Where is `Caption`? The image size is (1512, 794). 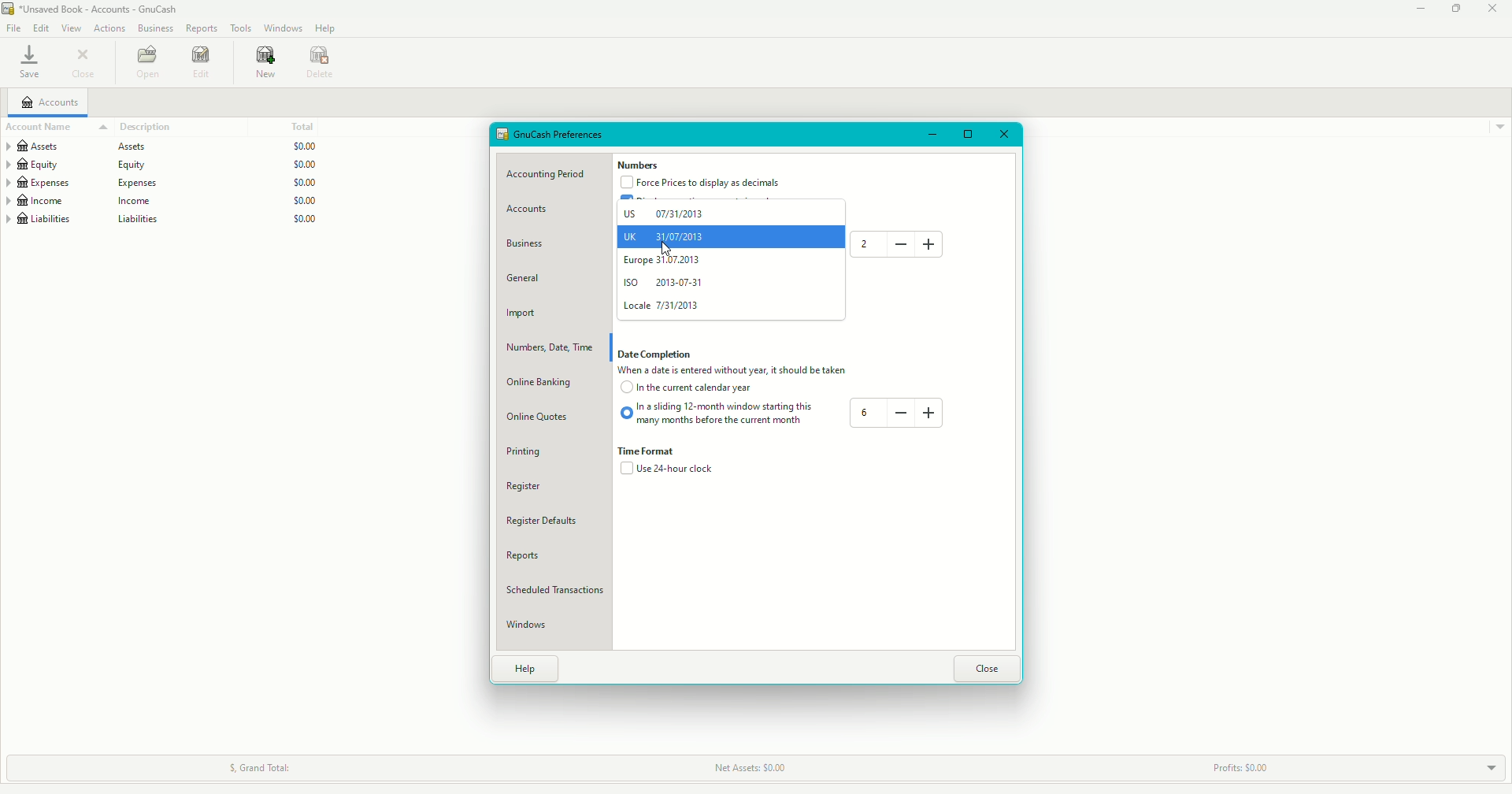
Caption is located at coordinates (743, 371).